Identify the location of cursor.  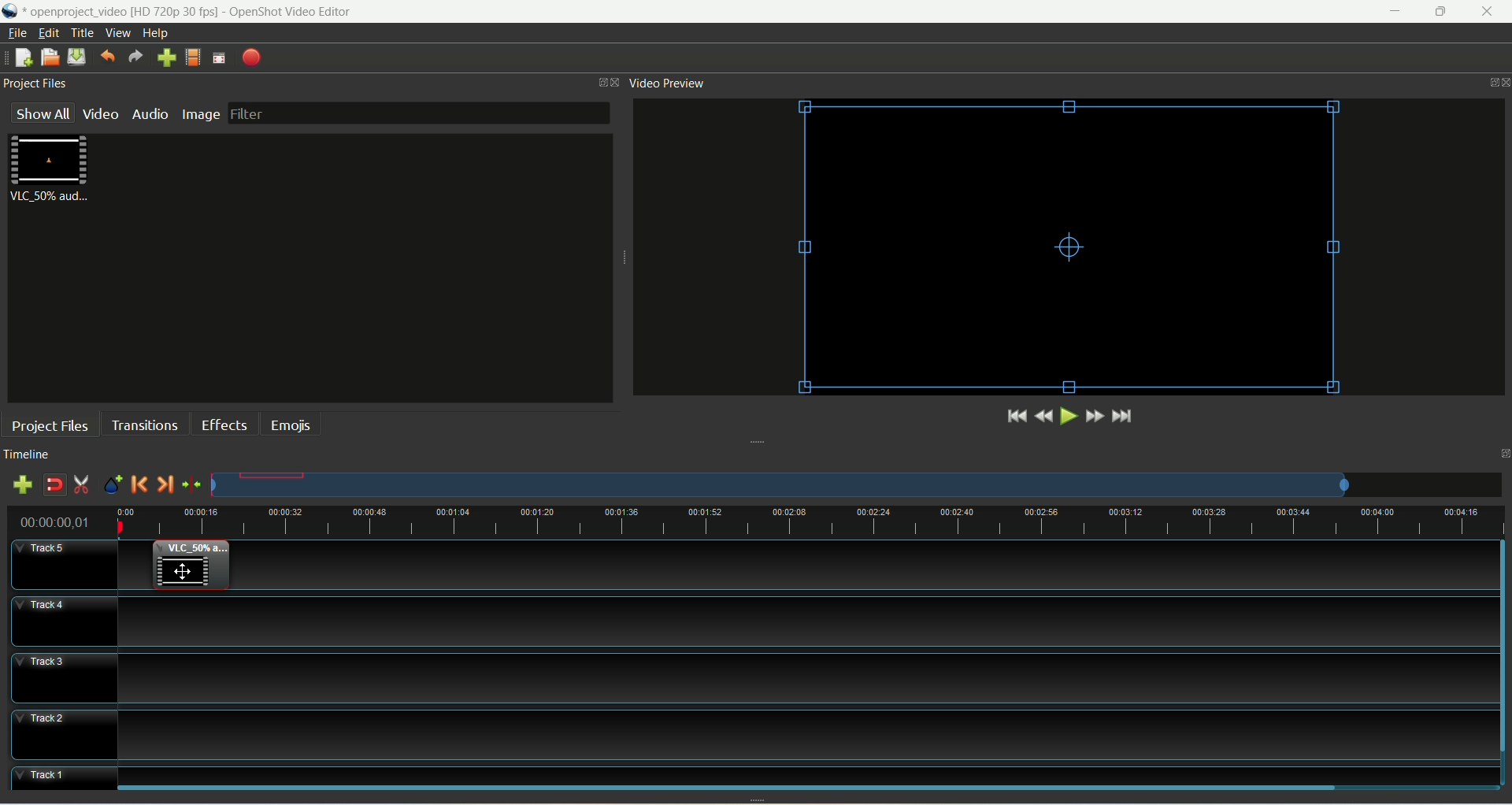
(182, 569).